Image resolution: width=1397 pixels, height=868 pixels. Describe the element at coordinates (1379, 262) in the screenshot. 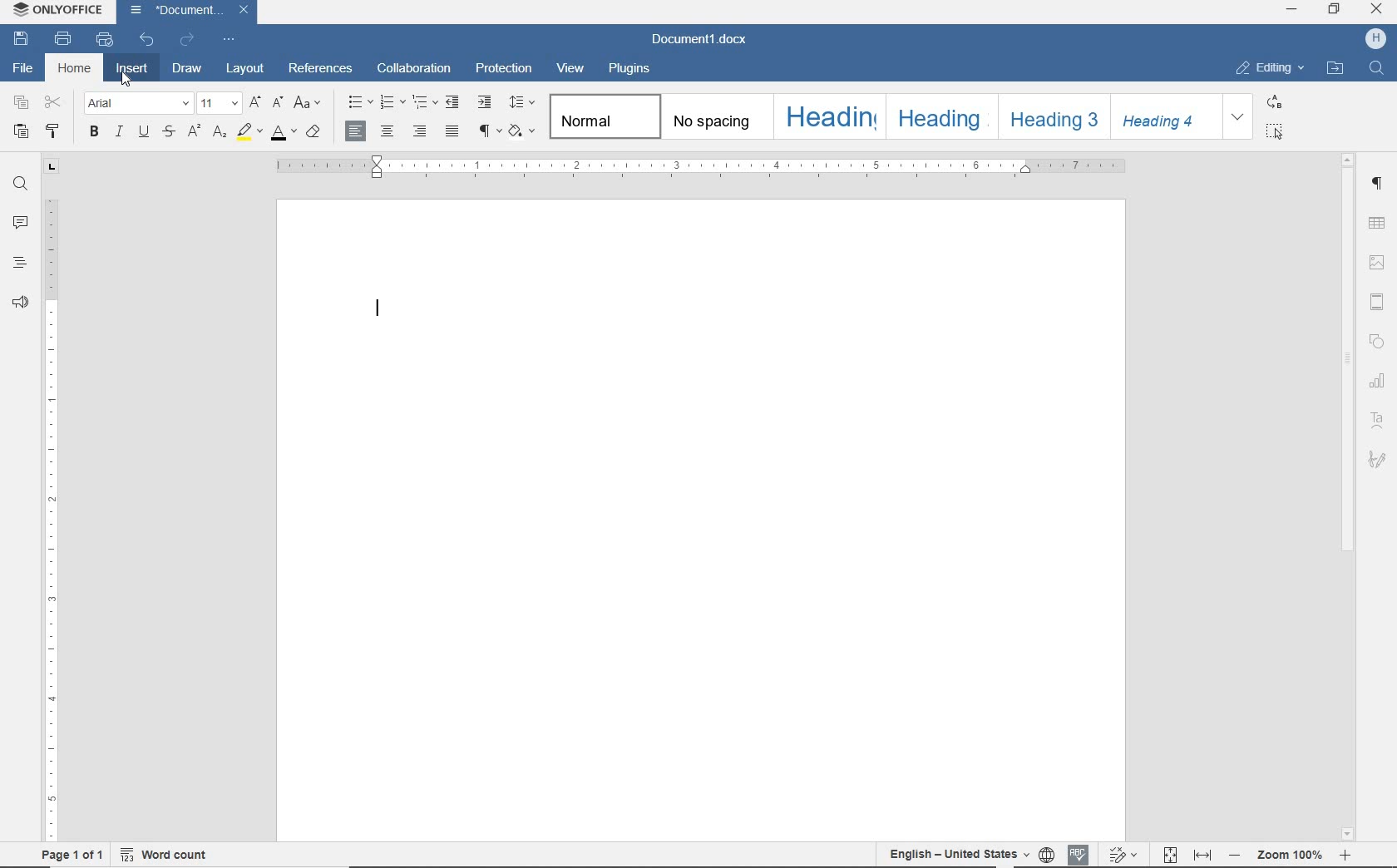

I see `image` at that location.